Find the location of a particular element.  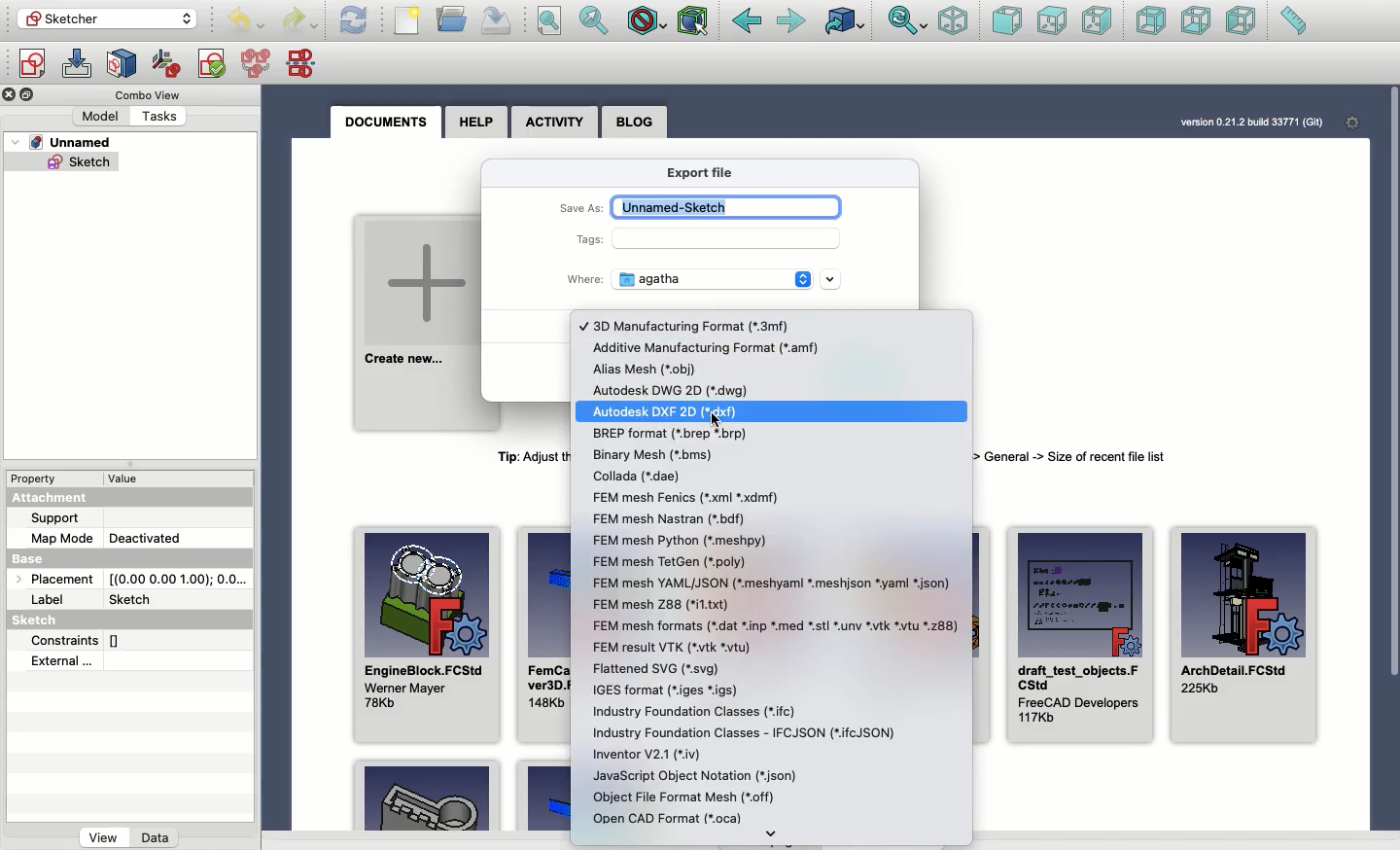

Edit sketch is located at coordinates (79, 65).